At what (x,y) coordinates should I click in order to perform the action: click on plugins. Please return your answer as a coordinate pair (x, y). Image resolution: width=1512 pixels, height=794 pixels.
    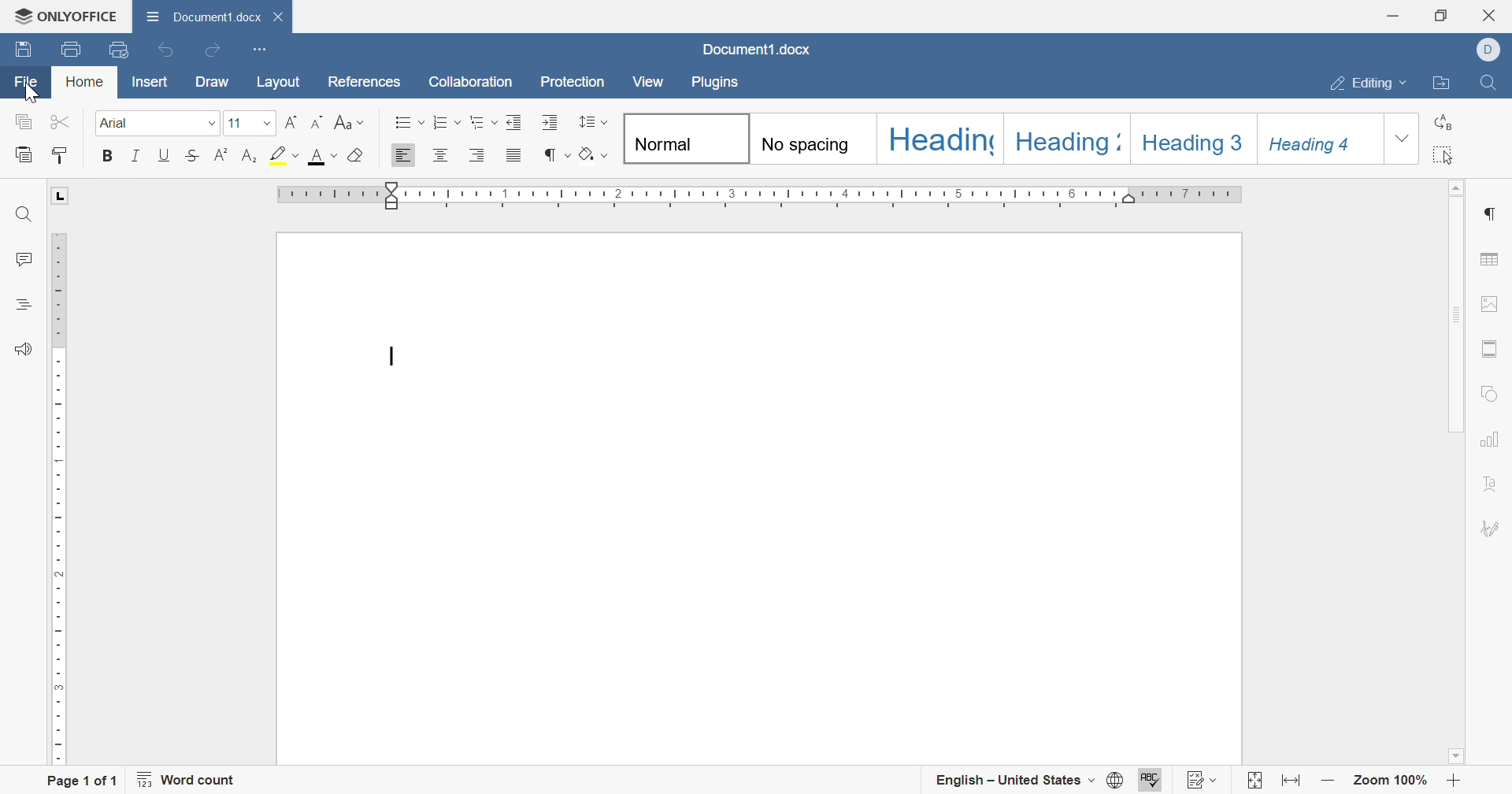
    Looking at the image, I should click on (713, 83).